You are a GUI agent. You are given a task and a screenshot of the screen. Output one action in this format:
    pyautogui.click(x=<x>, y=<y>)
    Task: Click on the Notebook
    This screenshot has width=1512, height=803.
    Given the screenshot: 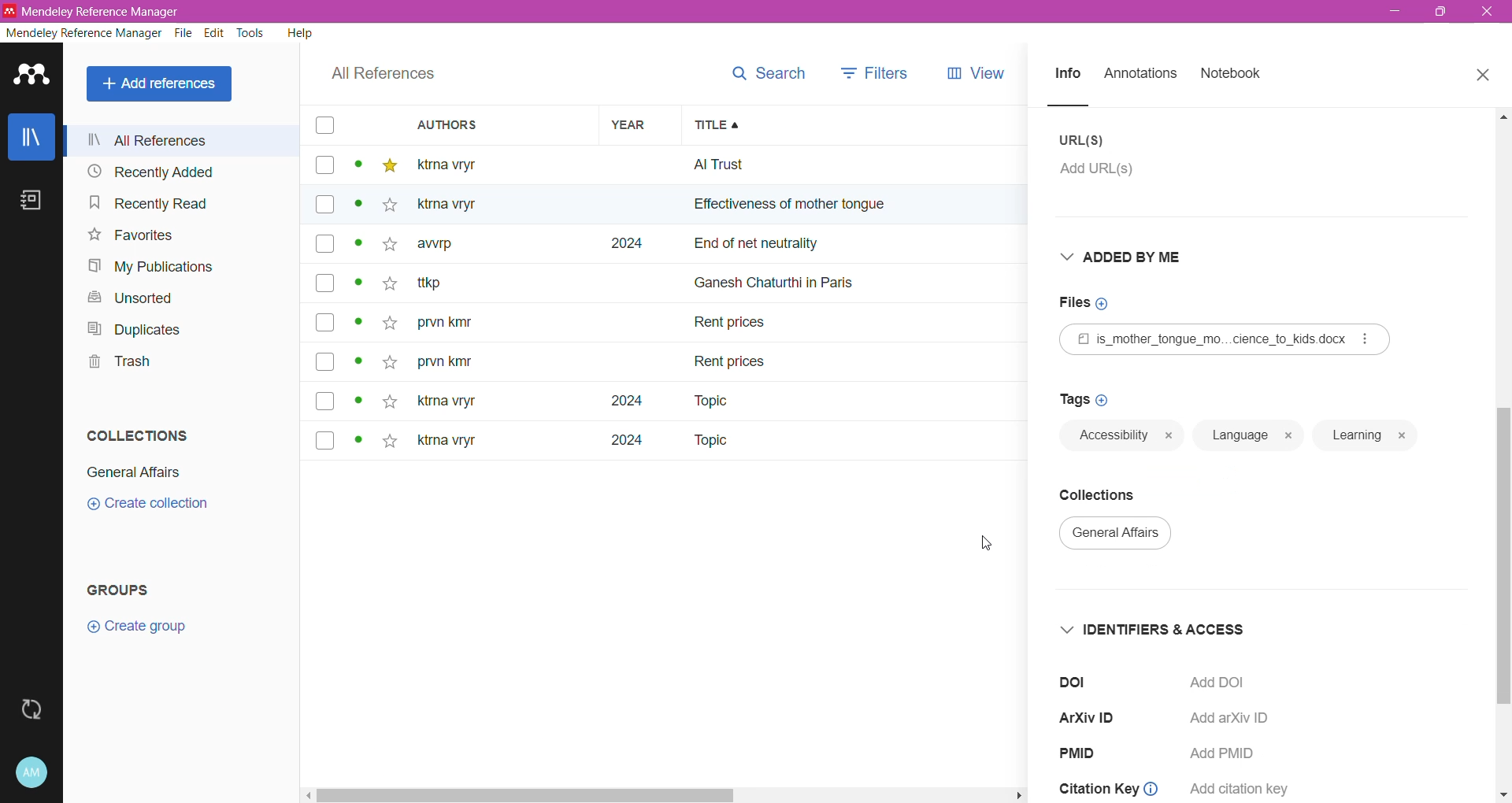 What is the action you would take?
    pyautogui.click(x=31, y=200)
    